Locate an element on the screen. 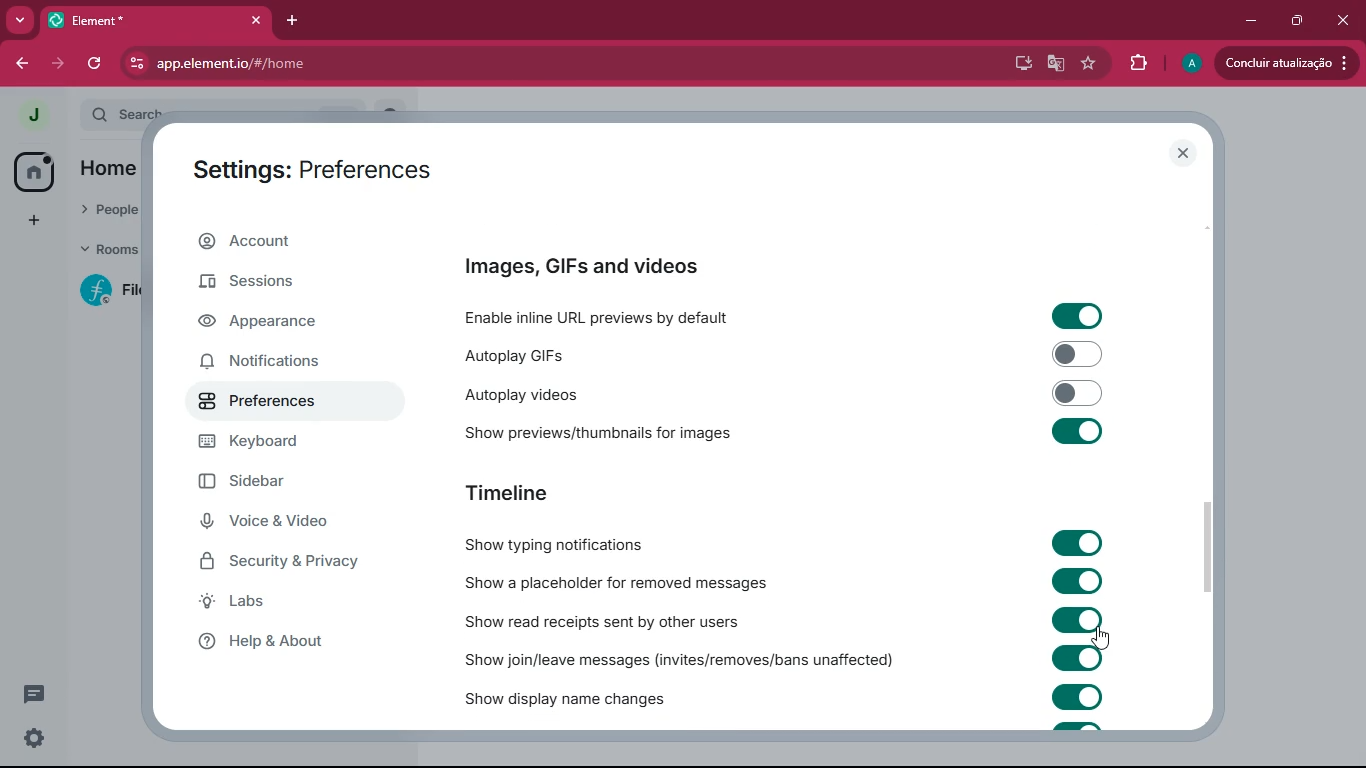 This screenshot has width=1366, height=768. desktop is located at coordinates (1018, 63).